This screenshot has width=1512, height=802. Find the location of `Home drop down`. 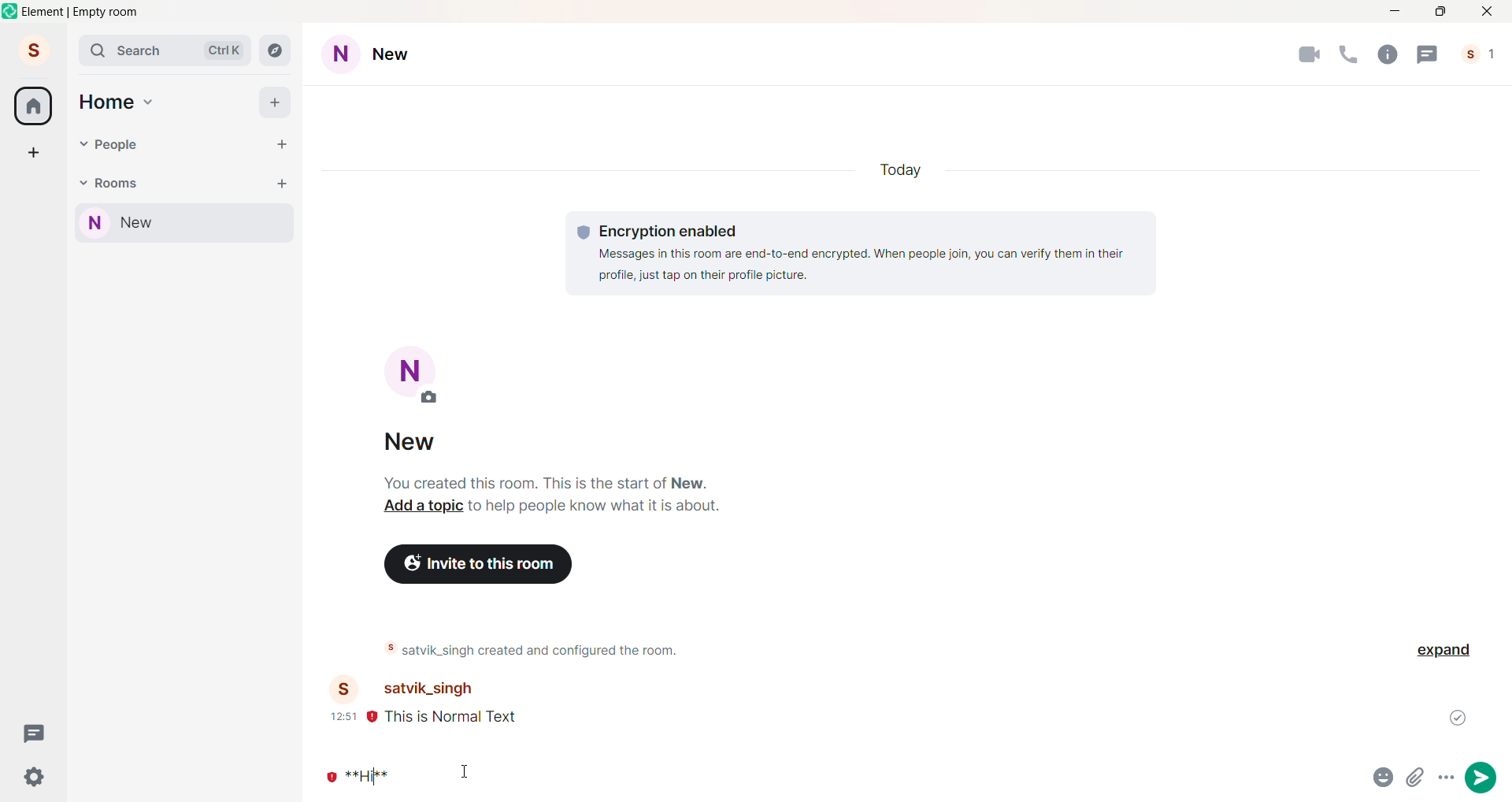

Home drop down is located at coordinates (150, 100).